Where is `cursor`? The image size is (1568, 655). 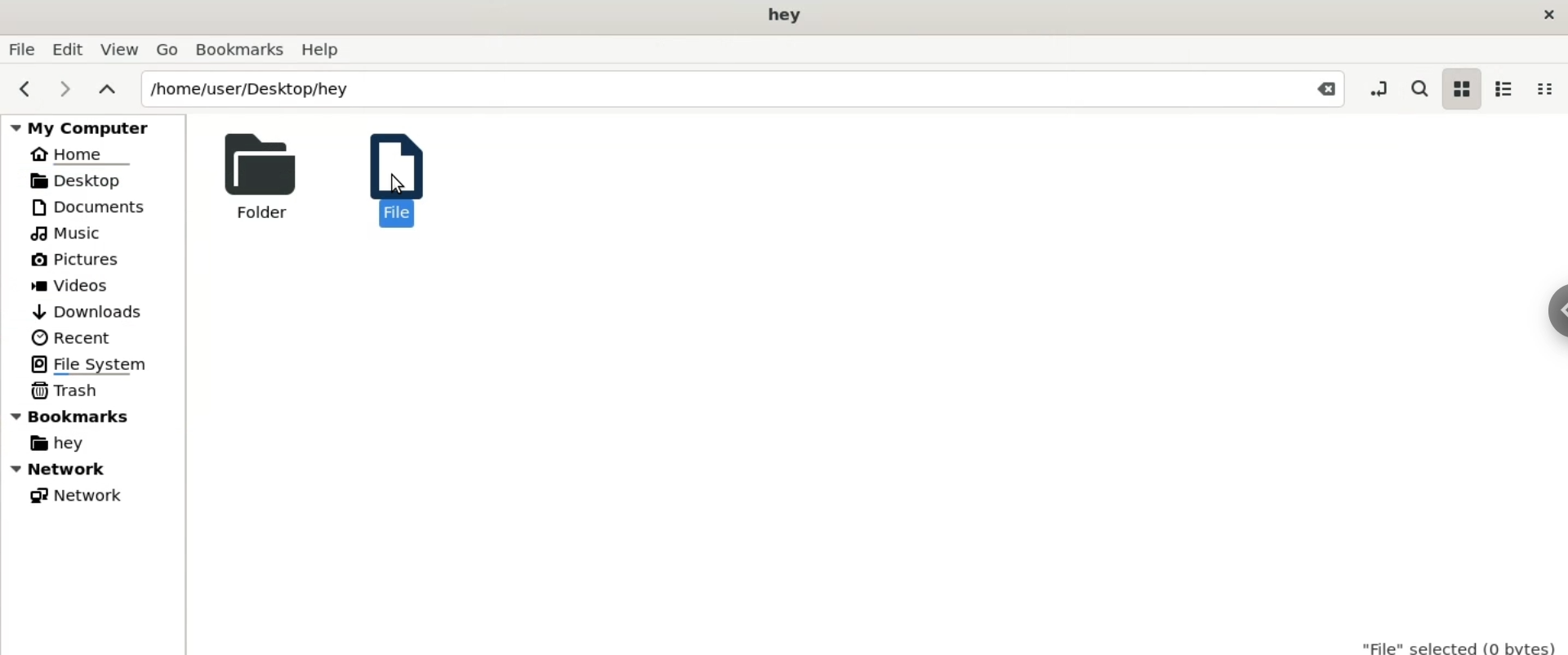
cursor is located at coordinates (398, 185).